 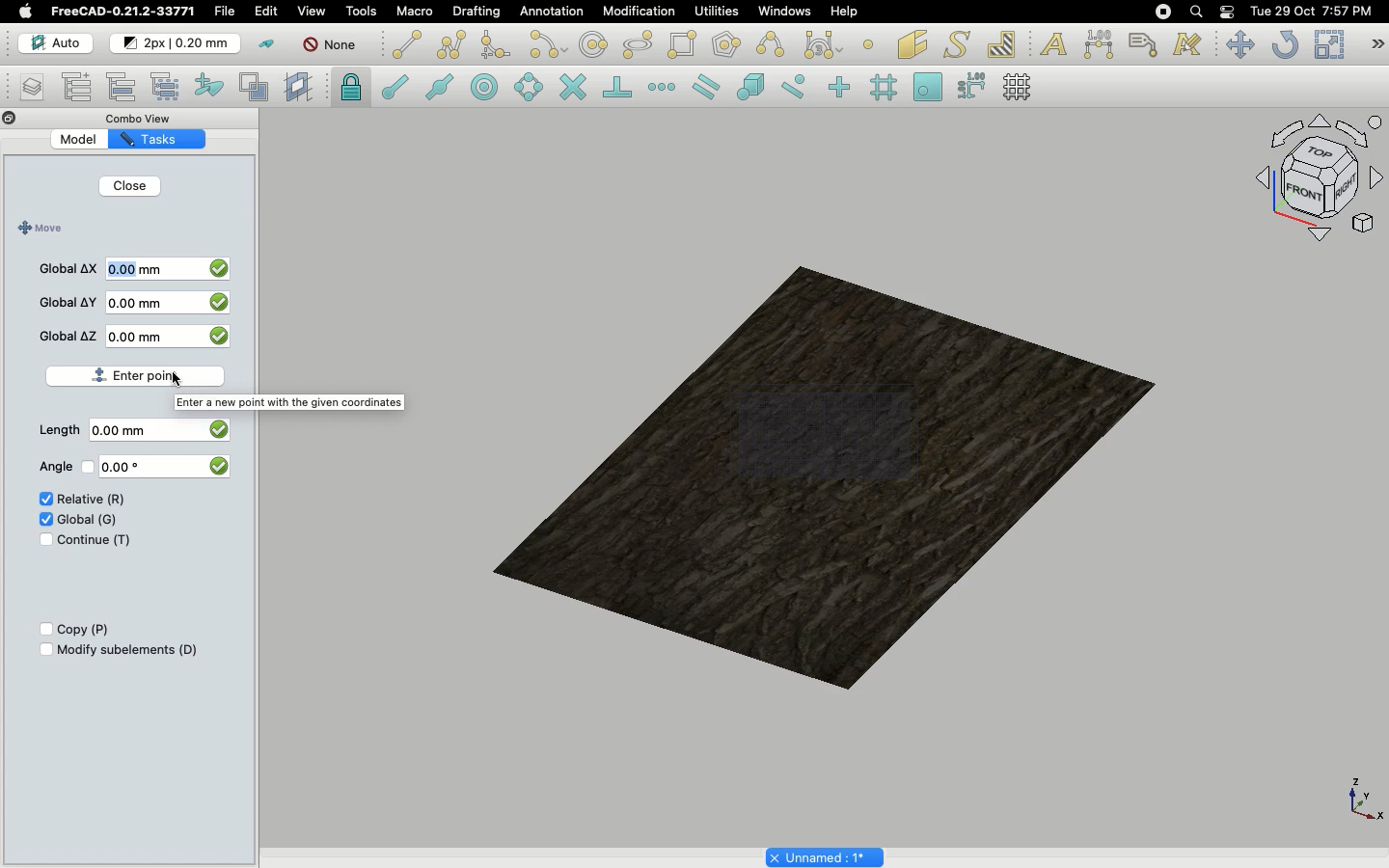 I want to click on Angle, so click(x=52, y=467).